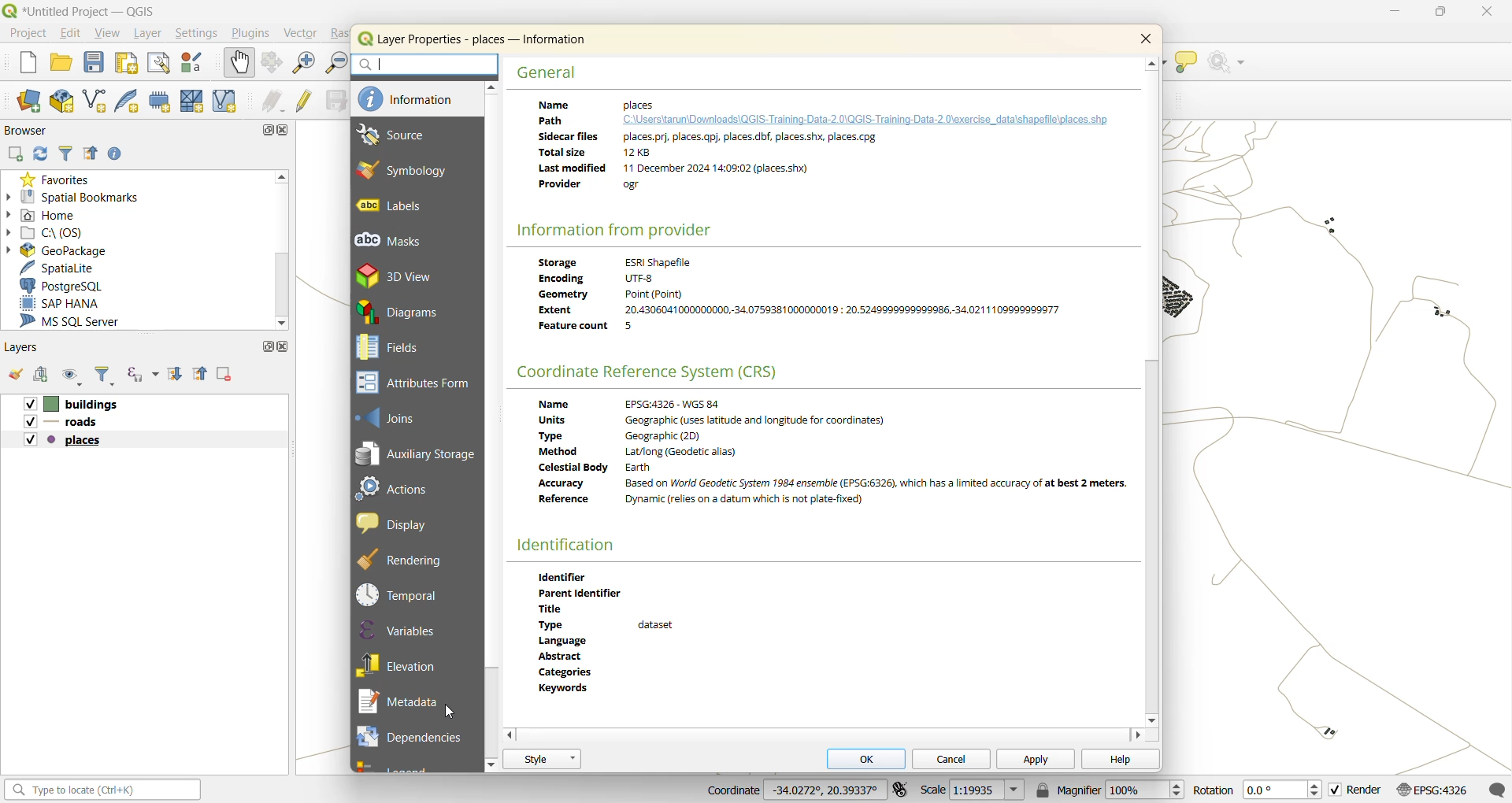 Image resolution: width=1512 pixels, height=803 pixels. What do you see at coordinates (61, 178) in the screenshot?
I see `favorites` at bounding box center [61, 178].